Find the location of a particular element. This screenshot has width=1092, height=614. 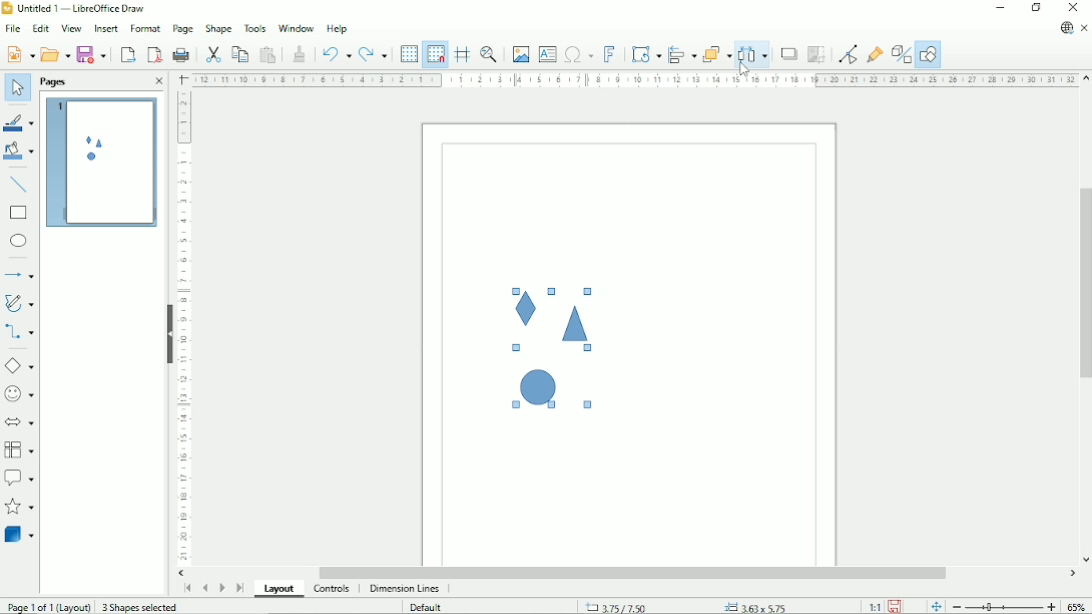

Save is located at coordinates (896, 606).